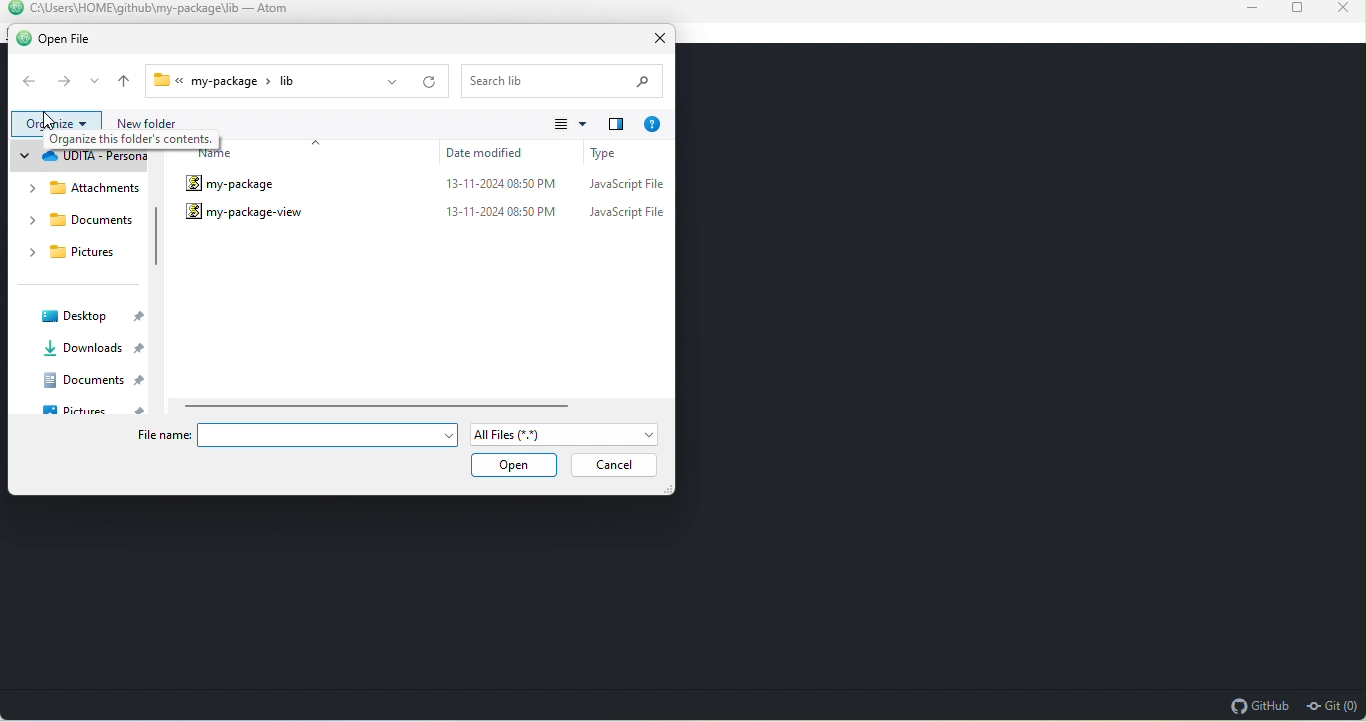 The height and width of the screenshot is (722, 1366). What do you see at coordinates (164, 438) in the screenshot?
I see `file name` at bounding box center [164, 438].